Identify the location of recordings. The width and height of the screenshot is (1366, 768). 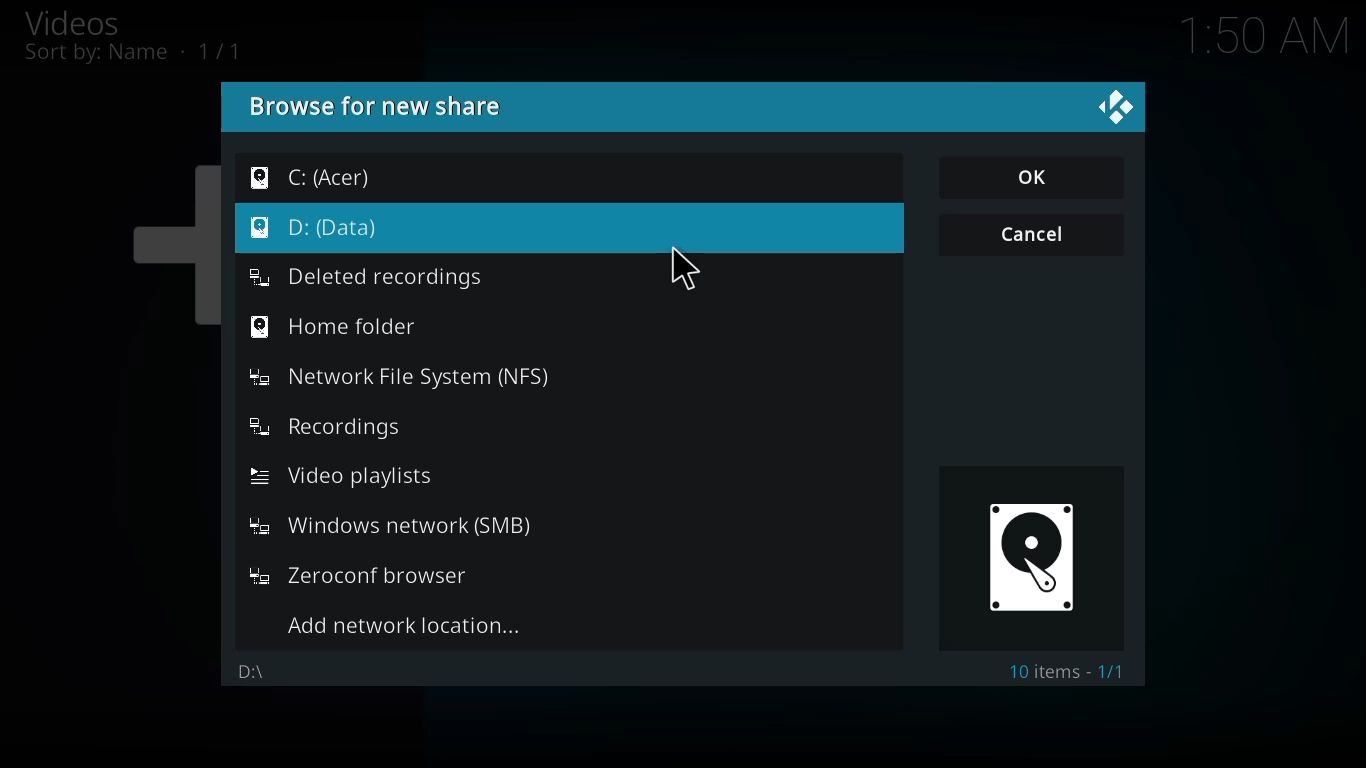
(325, 425).